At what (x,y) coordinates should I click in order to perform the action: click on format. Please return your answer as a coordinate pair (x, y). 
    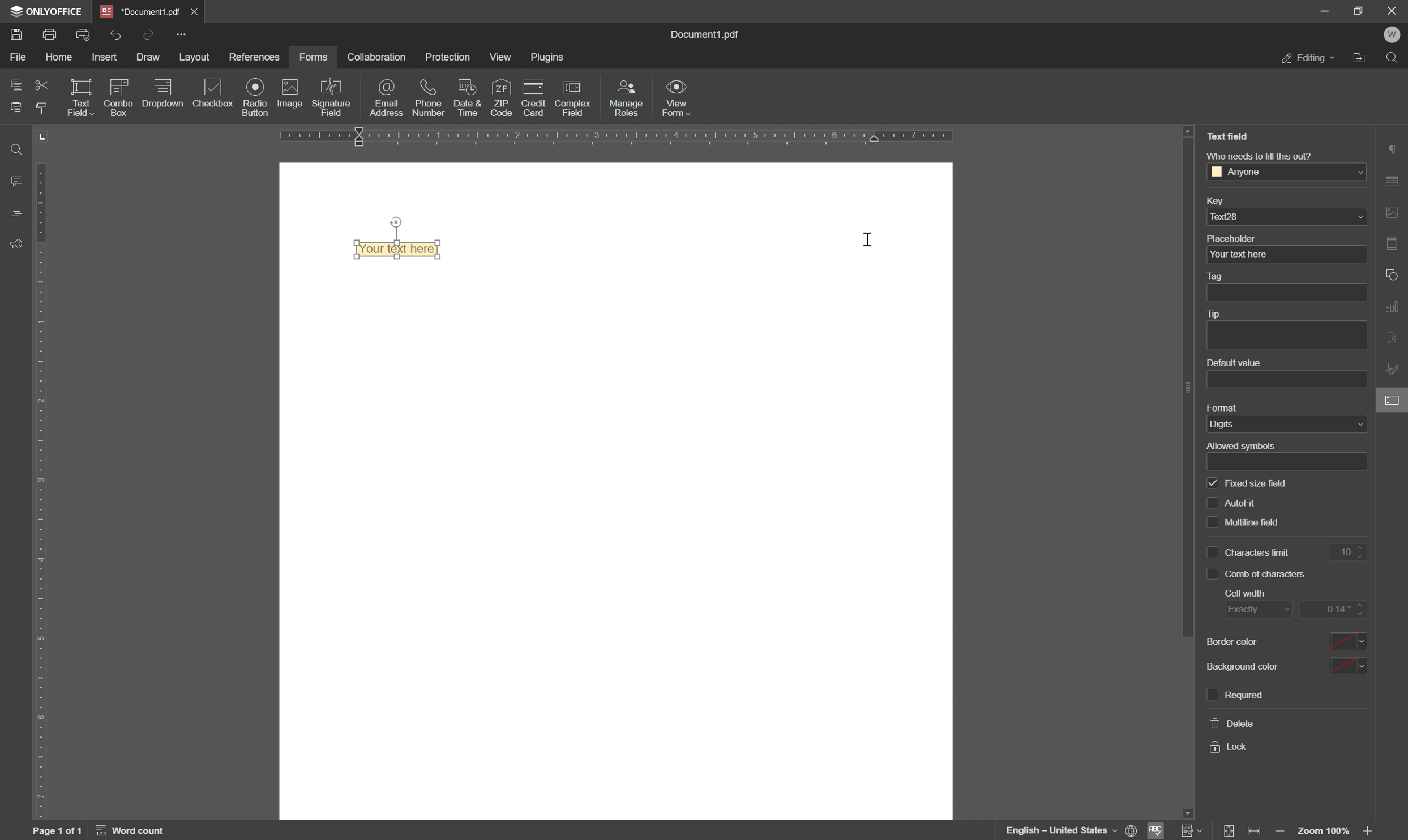
    Looking at the image, I should click on (1221, 407).